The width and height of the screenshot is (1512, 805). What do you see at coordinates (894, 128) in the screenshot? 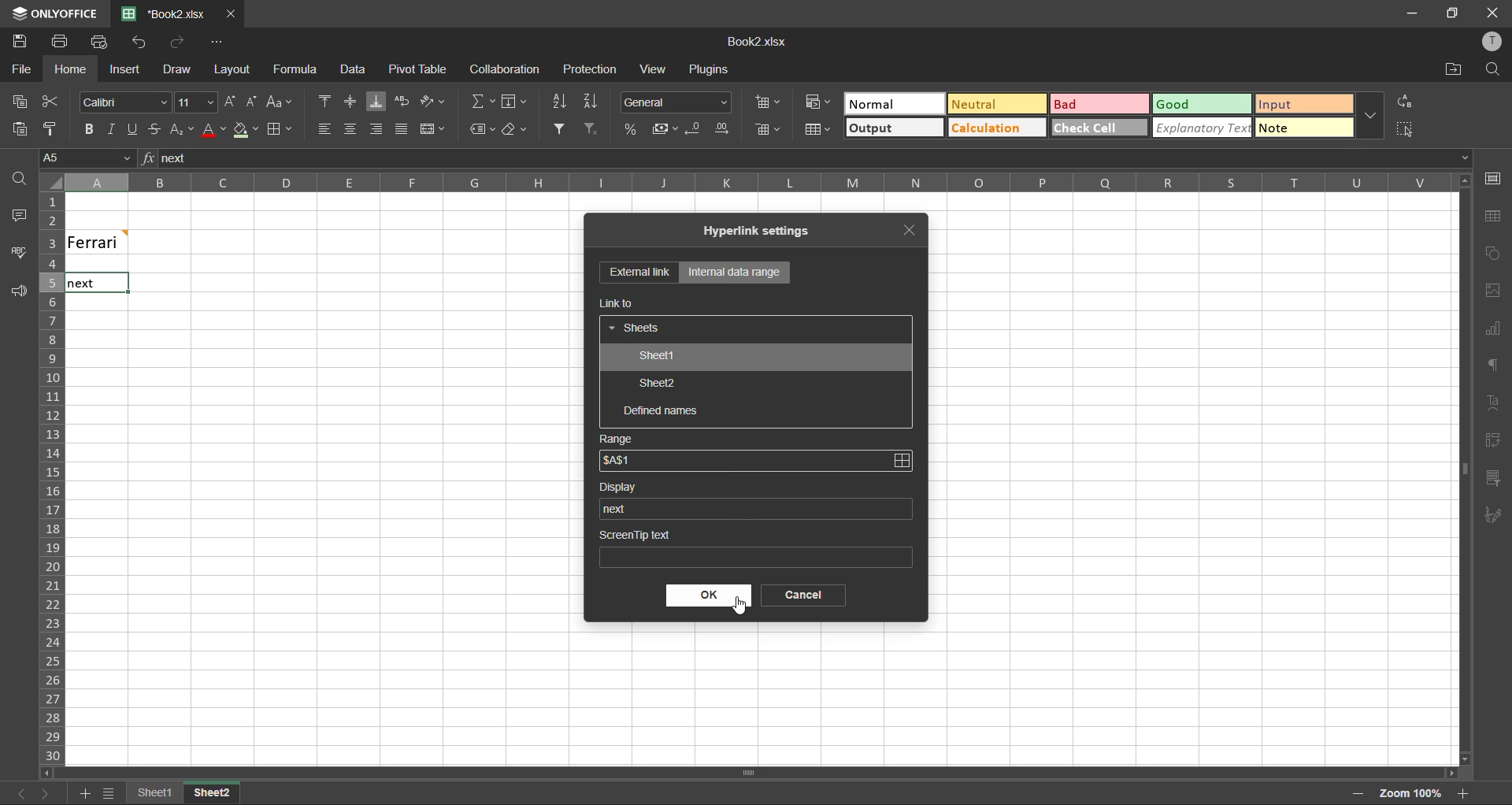
I see `output` at bounding box center [894, 128].